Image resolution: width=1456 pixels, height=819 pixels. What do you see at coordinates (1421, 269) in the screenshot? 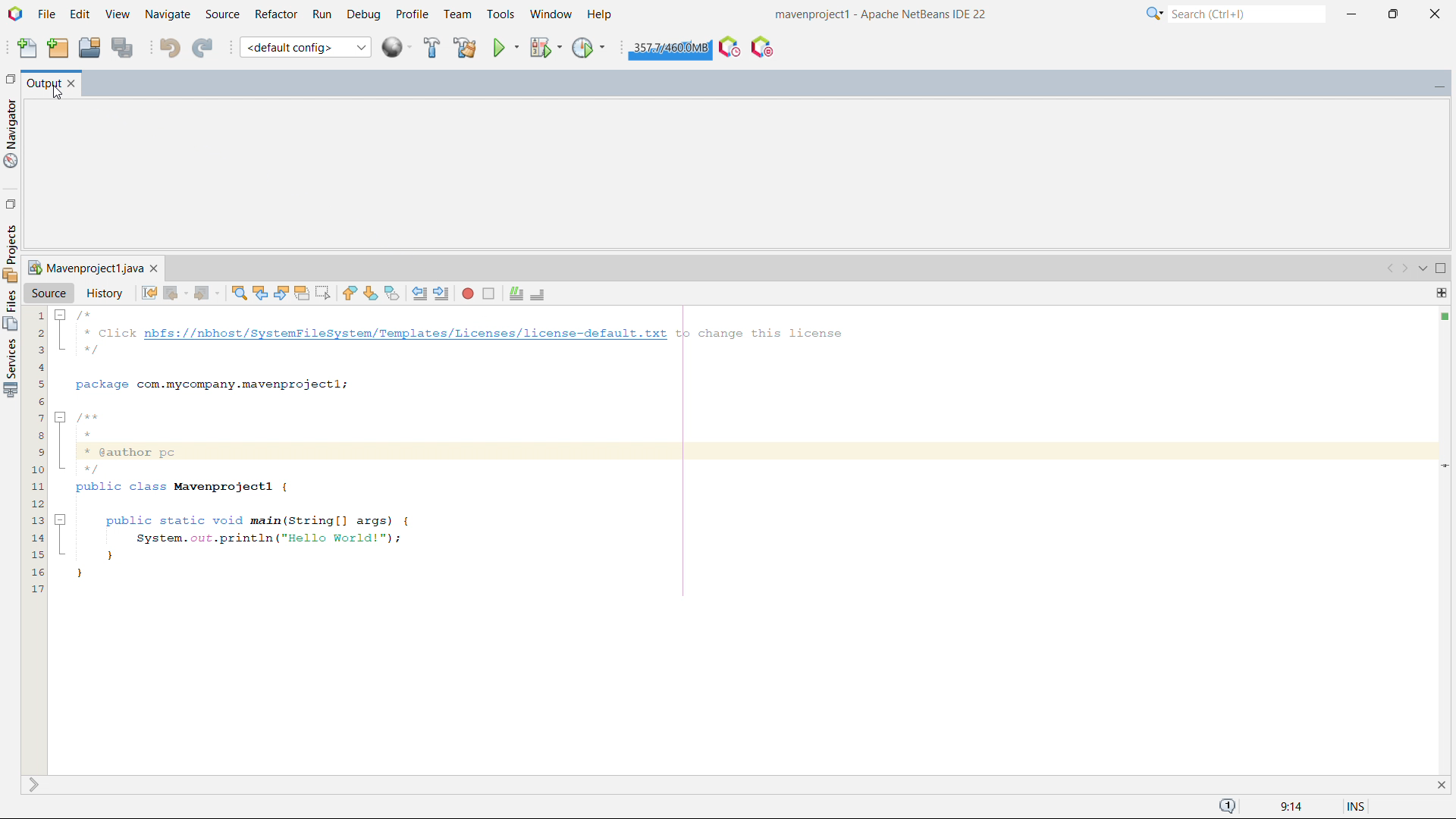
I see `show opened documents` at bounding box center [1421, 269].